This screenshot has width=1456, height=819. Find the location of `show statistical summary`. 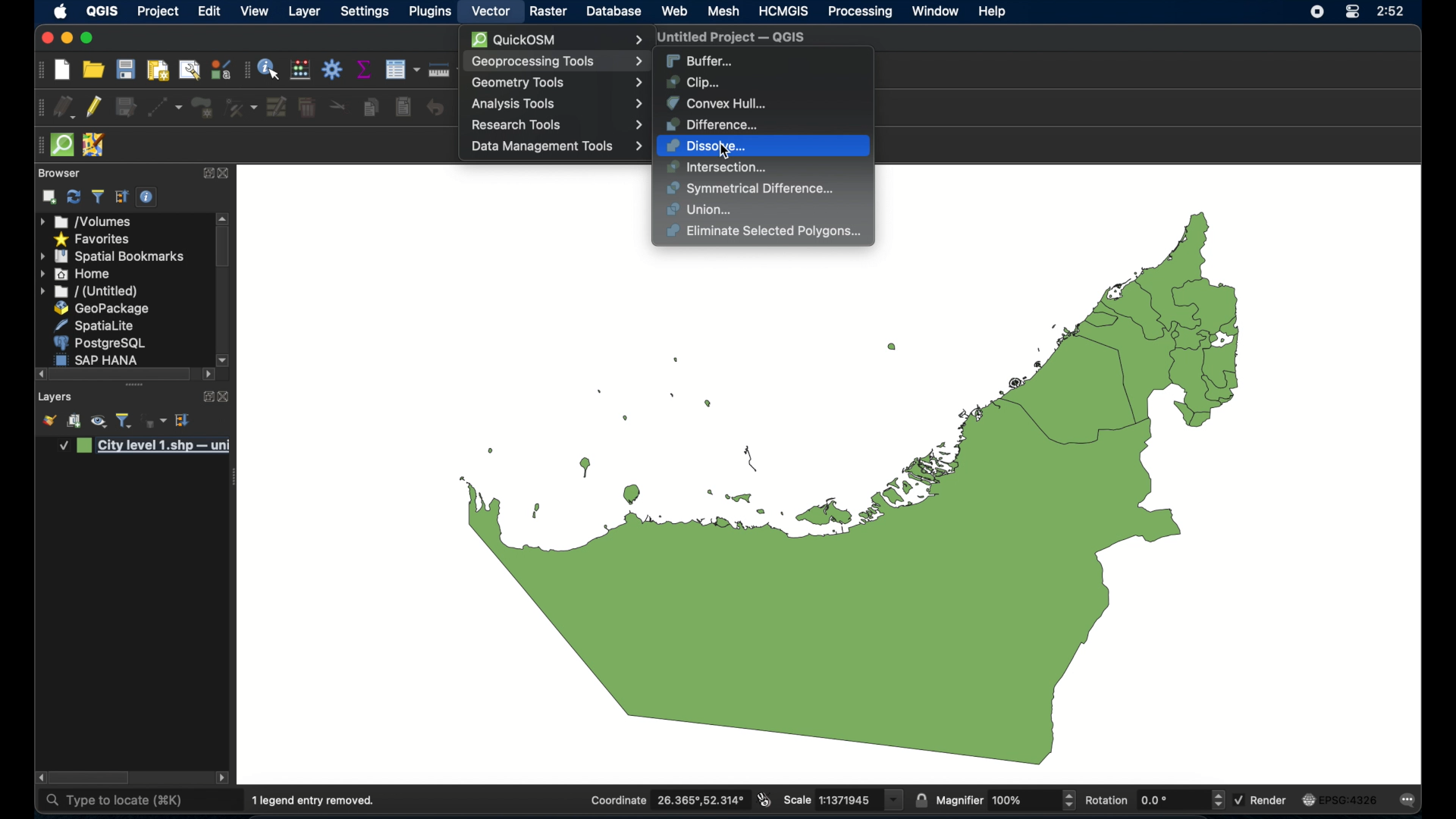

show statistical summary is located at coordinates (365, 70).